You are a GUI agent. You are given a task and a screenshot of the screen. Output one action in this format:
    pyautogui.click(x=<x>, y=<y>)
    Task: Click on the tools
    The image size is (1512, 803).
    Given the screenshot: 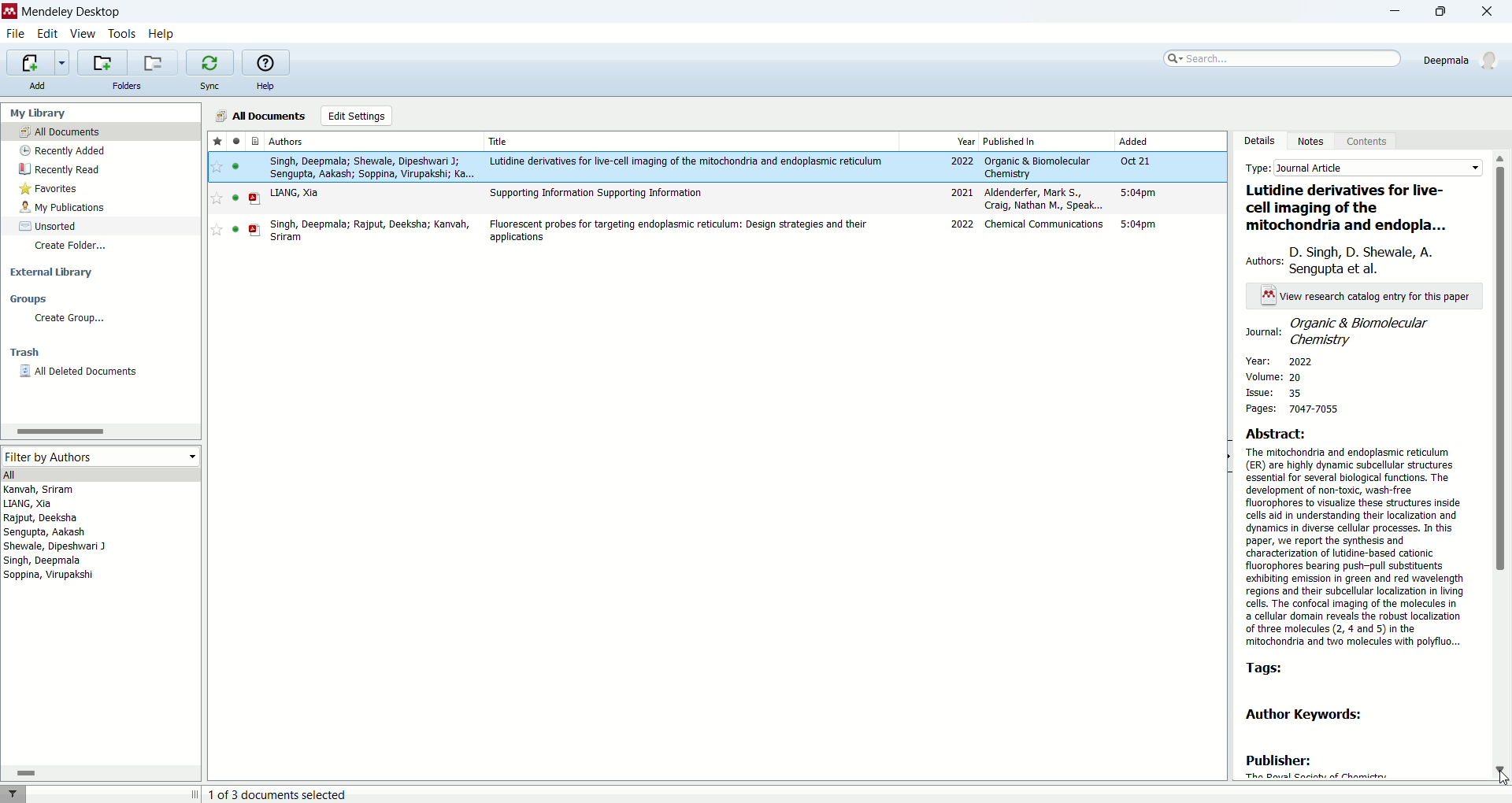 What is the action you would take?
    pyautogui.click(x=123, y=35)
    